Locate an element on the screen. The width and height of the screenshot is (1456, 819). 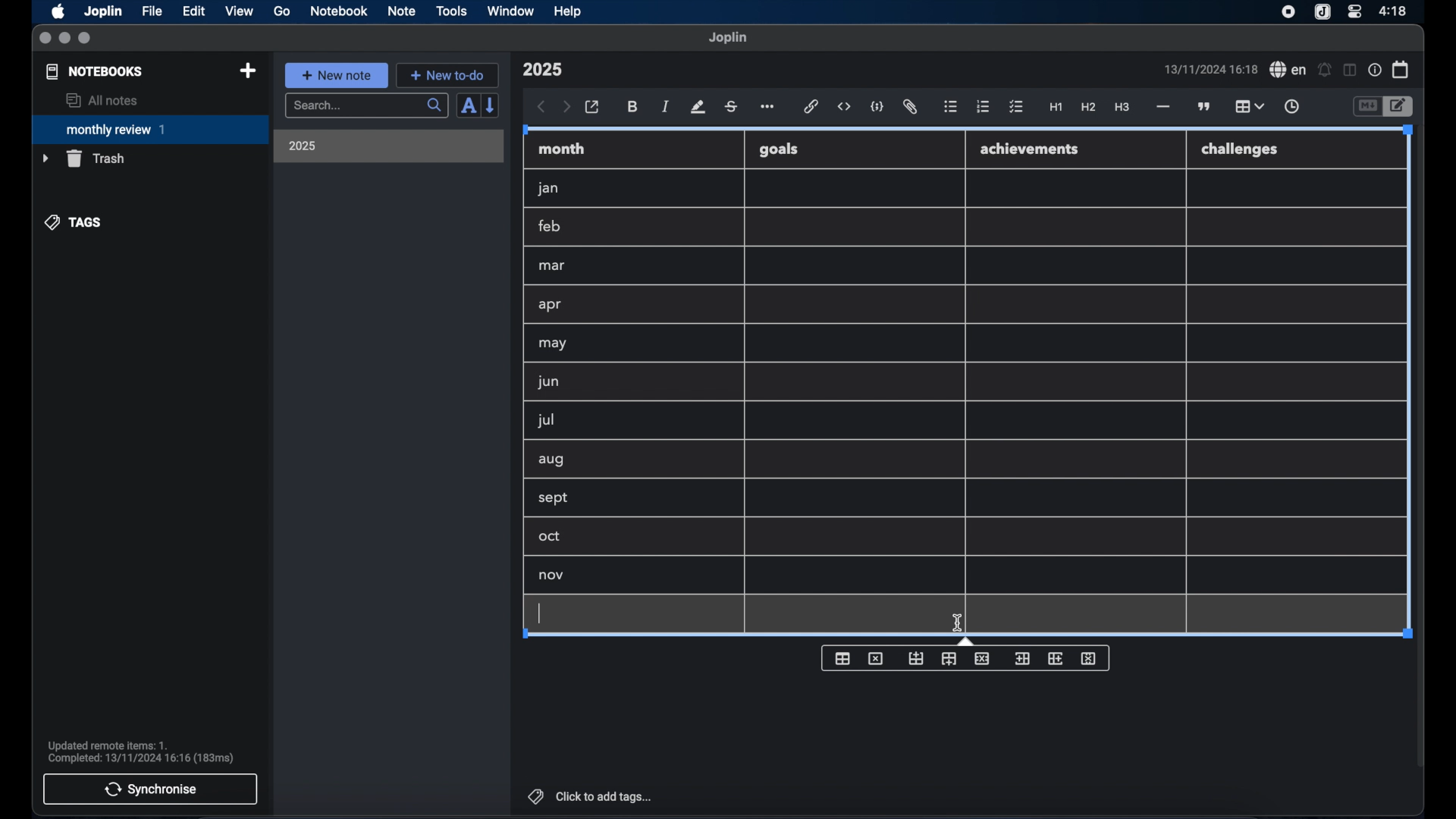
heading 2 is located at coordinates (1089, 108).